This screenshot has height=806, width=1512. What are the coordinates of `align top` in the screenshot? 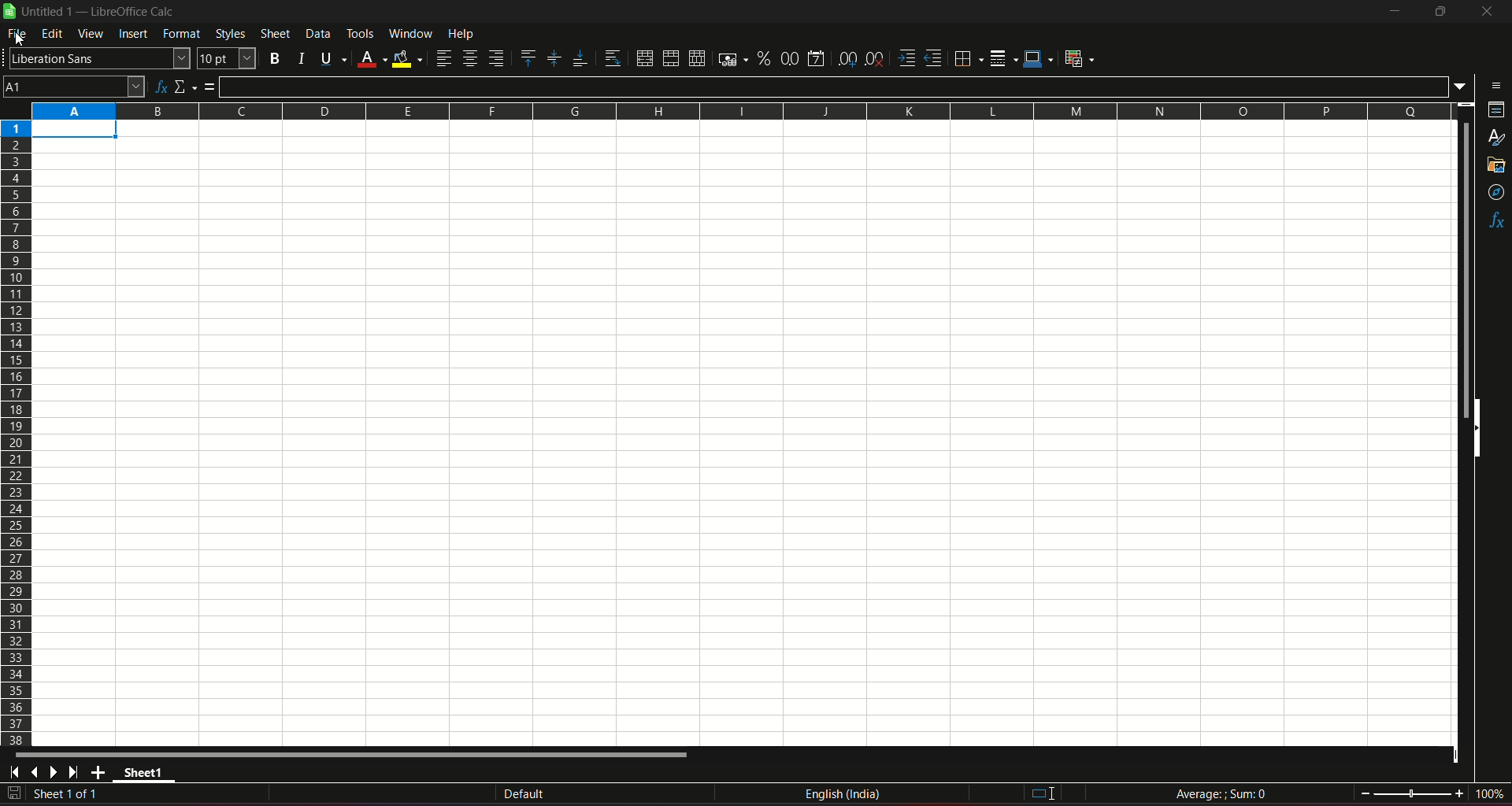 It's located at (528, 57).